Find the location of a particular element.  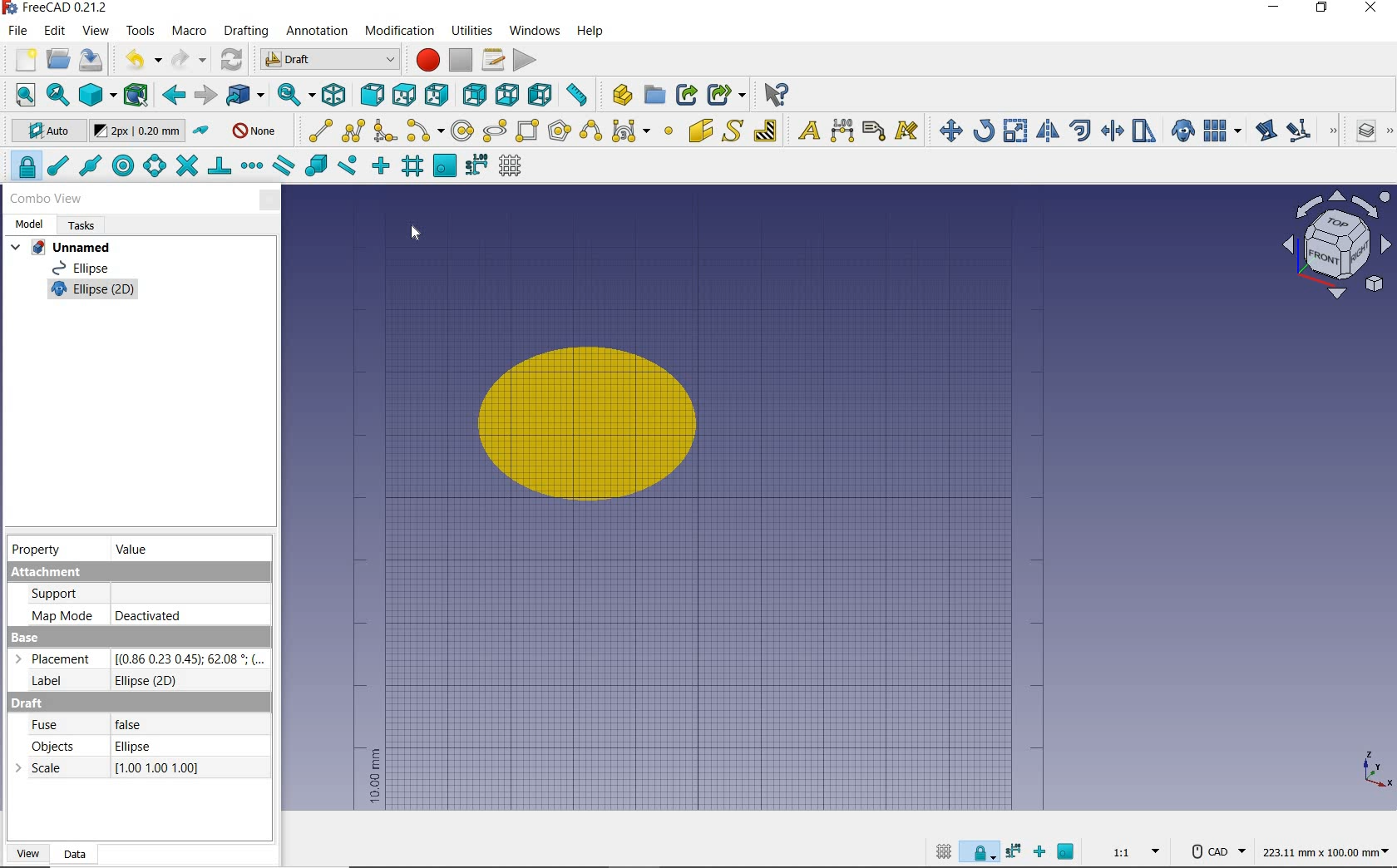

execute macro is located at coordinates (524, 58).